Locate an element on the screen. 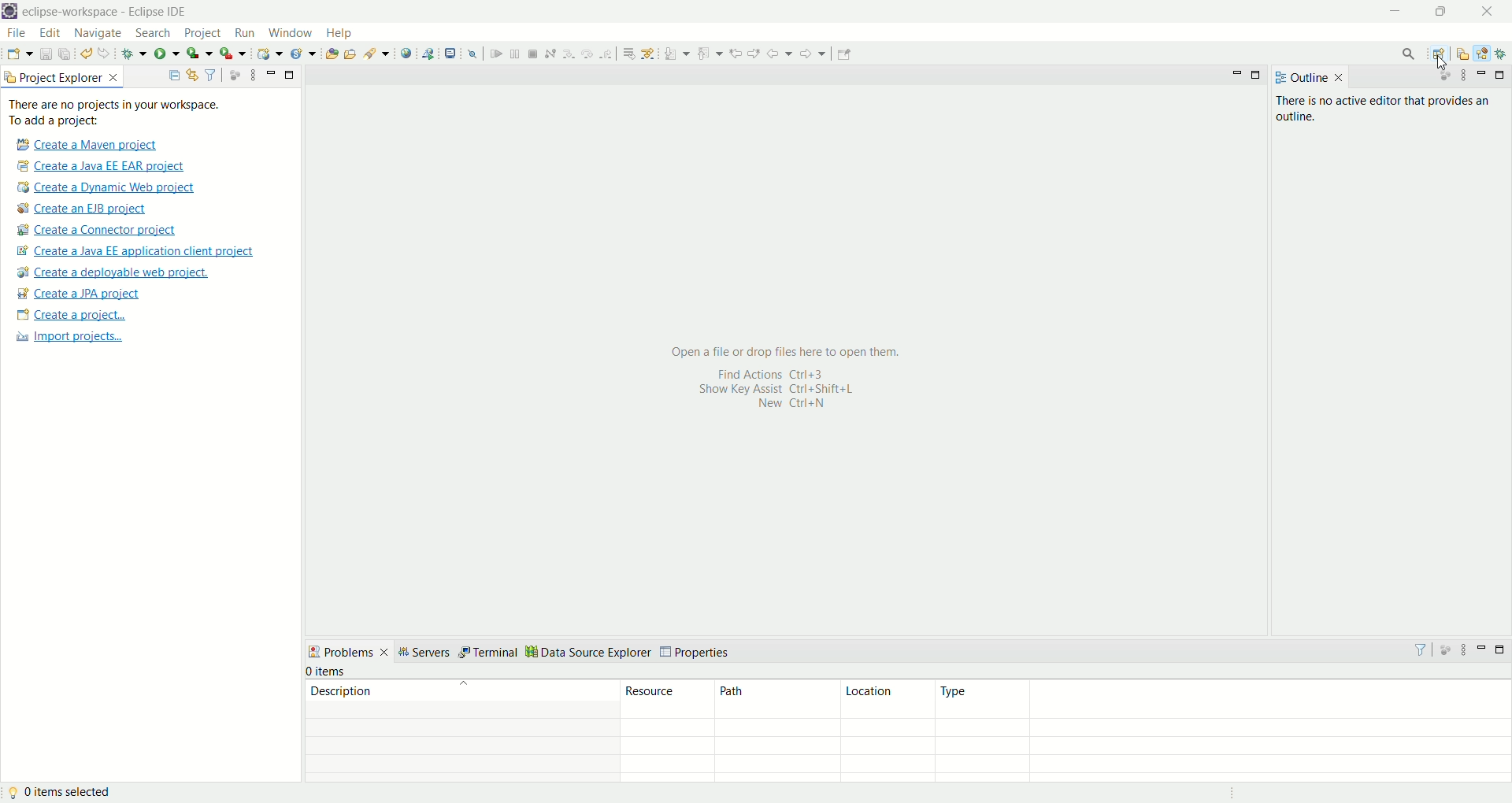 Image resolution: width=1512 pixels, height=803 pixels. previous edit location is located at coordinates (736, 53).